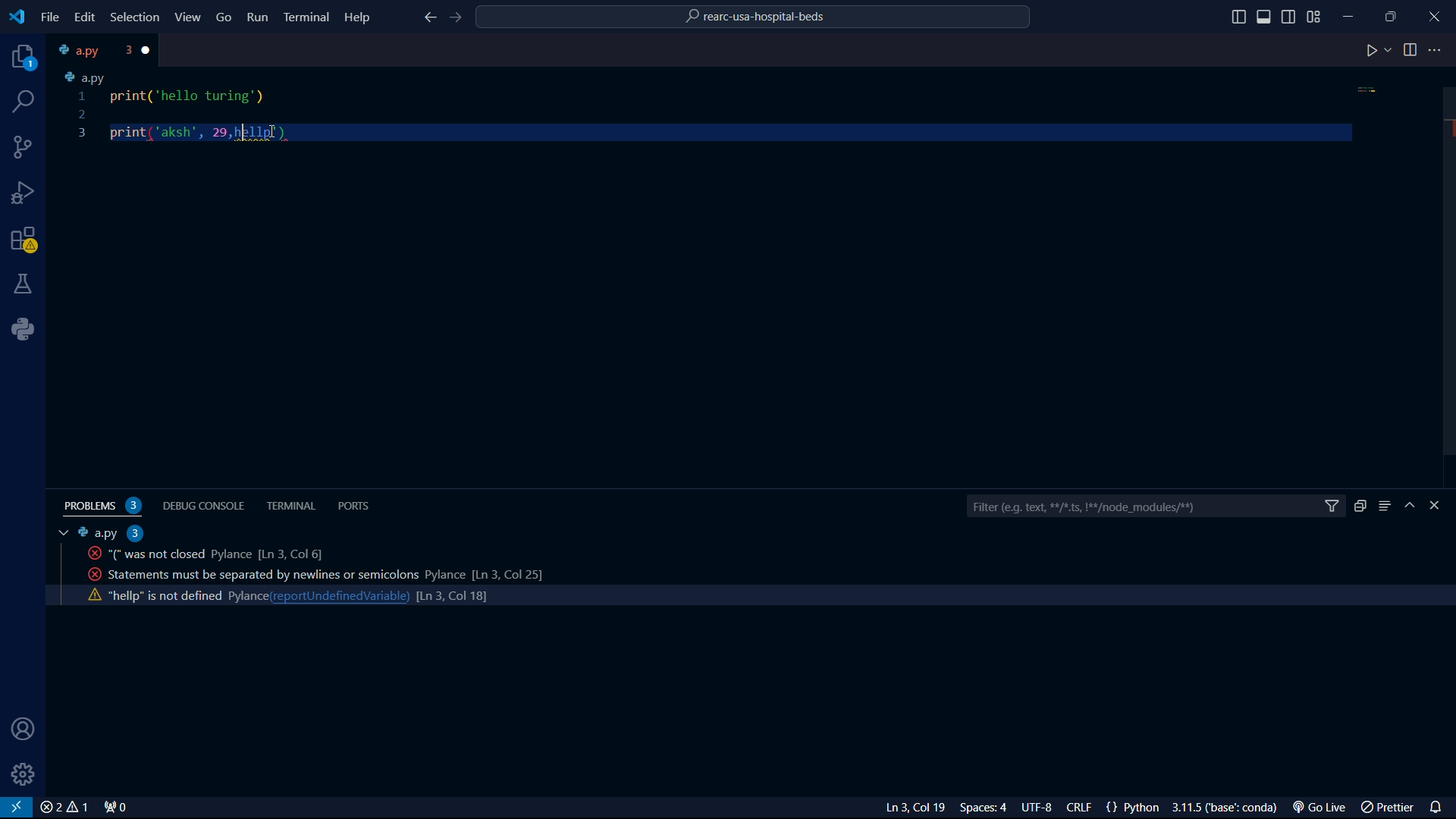 Image resolution: width=1456 pixels, height=819 pixels. Describe the element at coordinates (1378, 52) in the screenshot. I see `play` at that location.